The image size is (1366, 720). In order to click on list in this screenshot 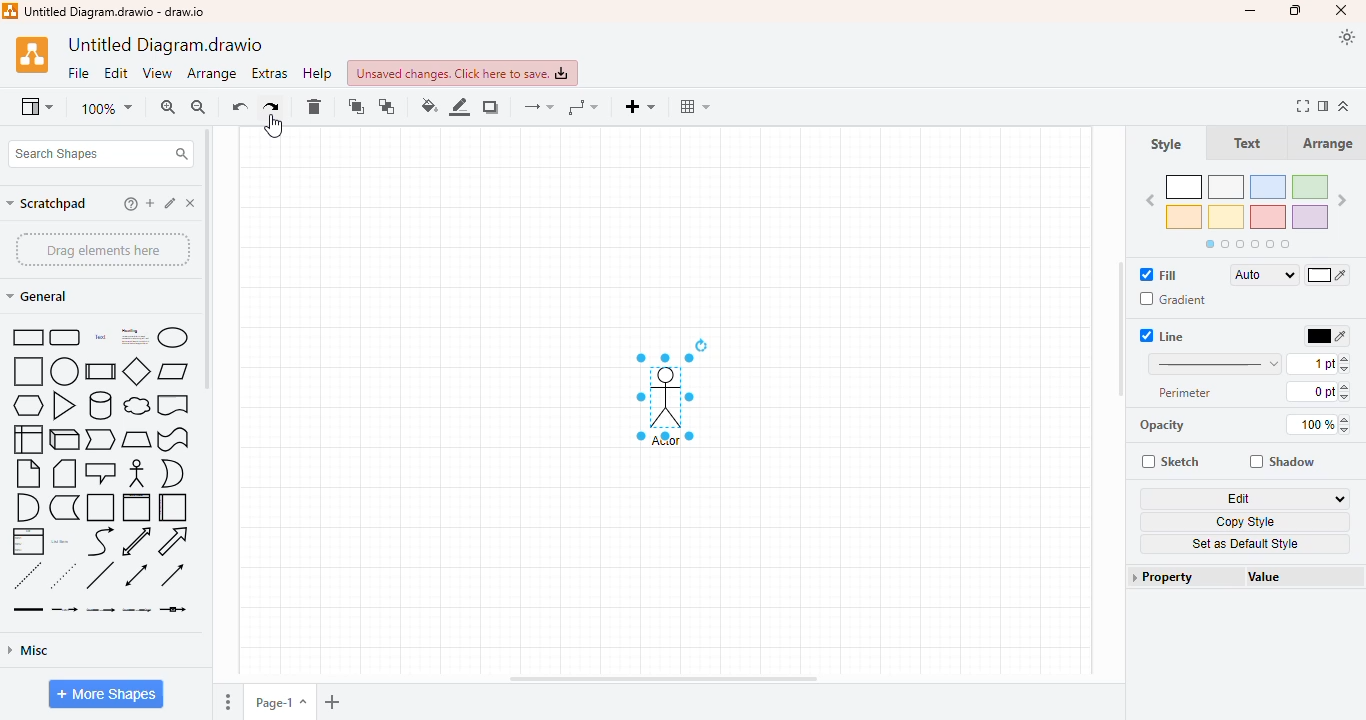, I will do `click(27, 542)`.